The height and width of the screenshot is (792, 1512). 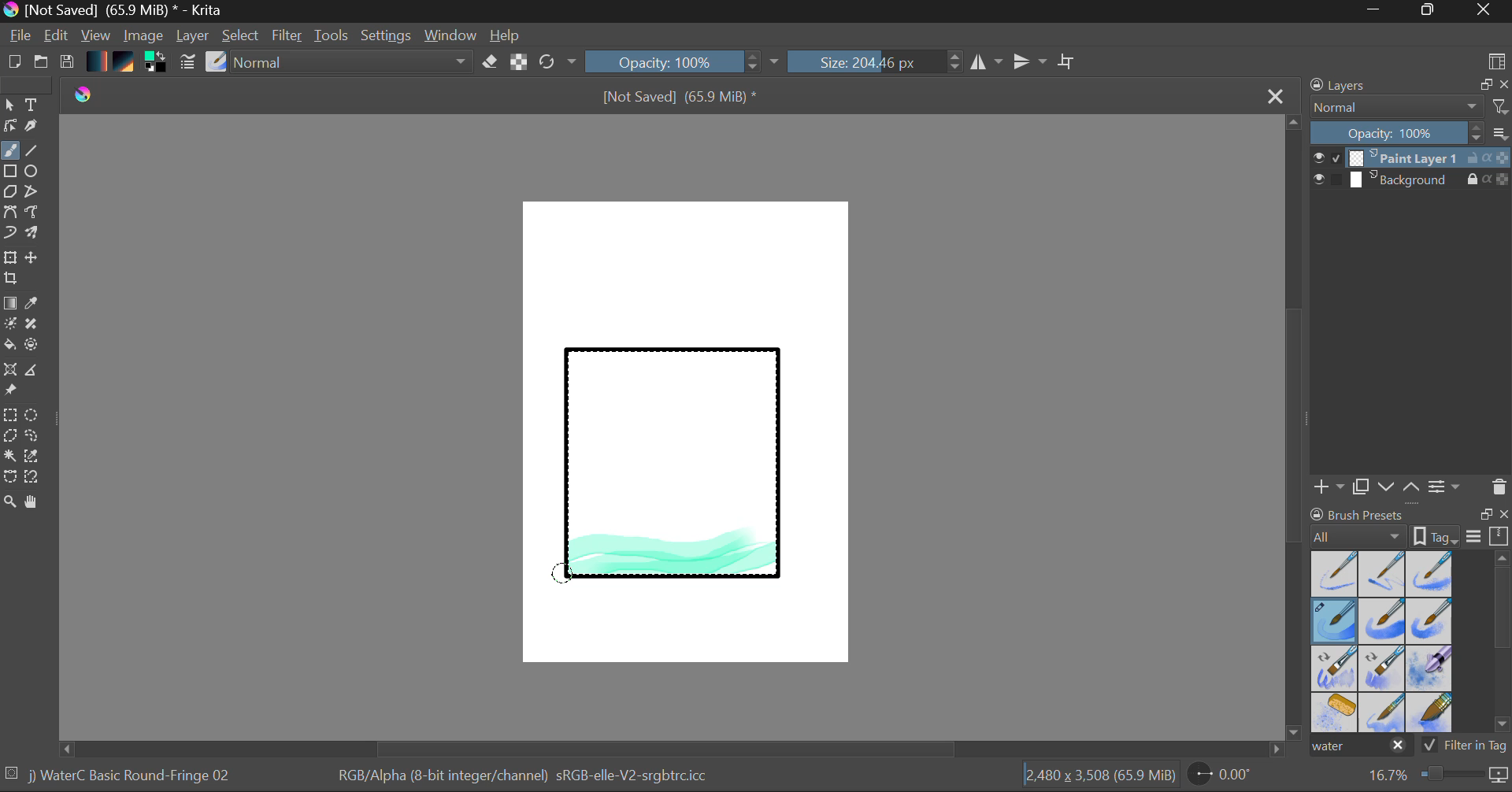 I want to click on Document Dimensions, so click(x=1099, y=778).